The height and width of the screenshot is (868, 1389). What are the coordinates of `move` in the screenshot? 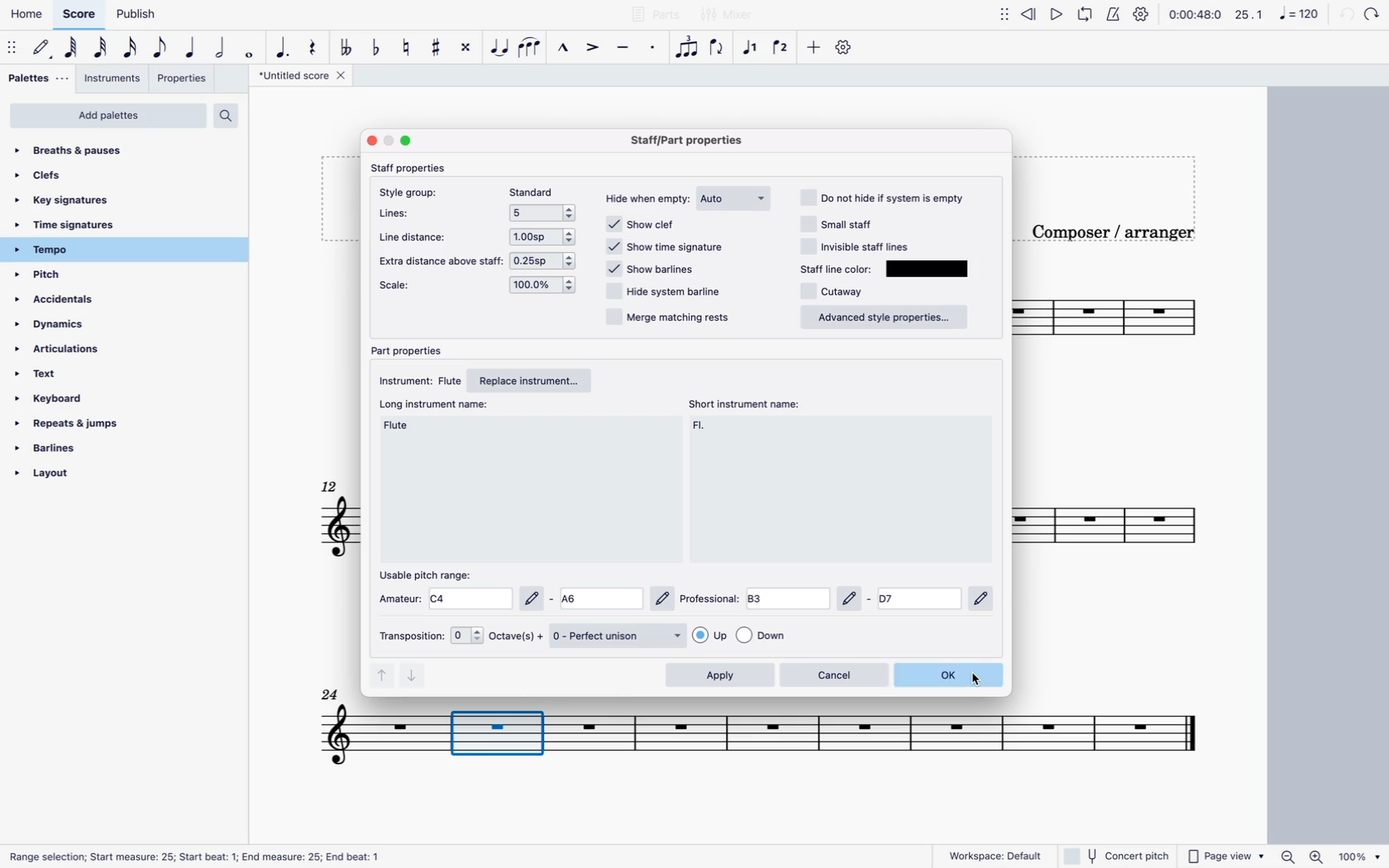 It's located at (12, 47).